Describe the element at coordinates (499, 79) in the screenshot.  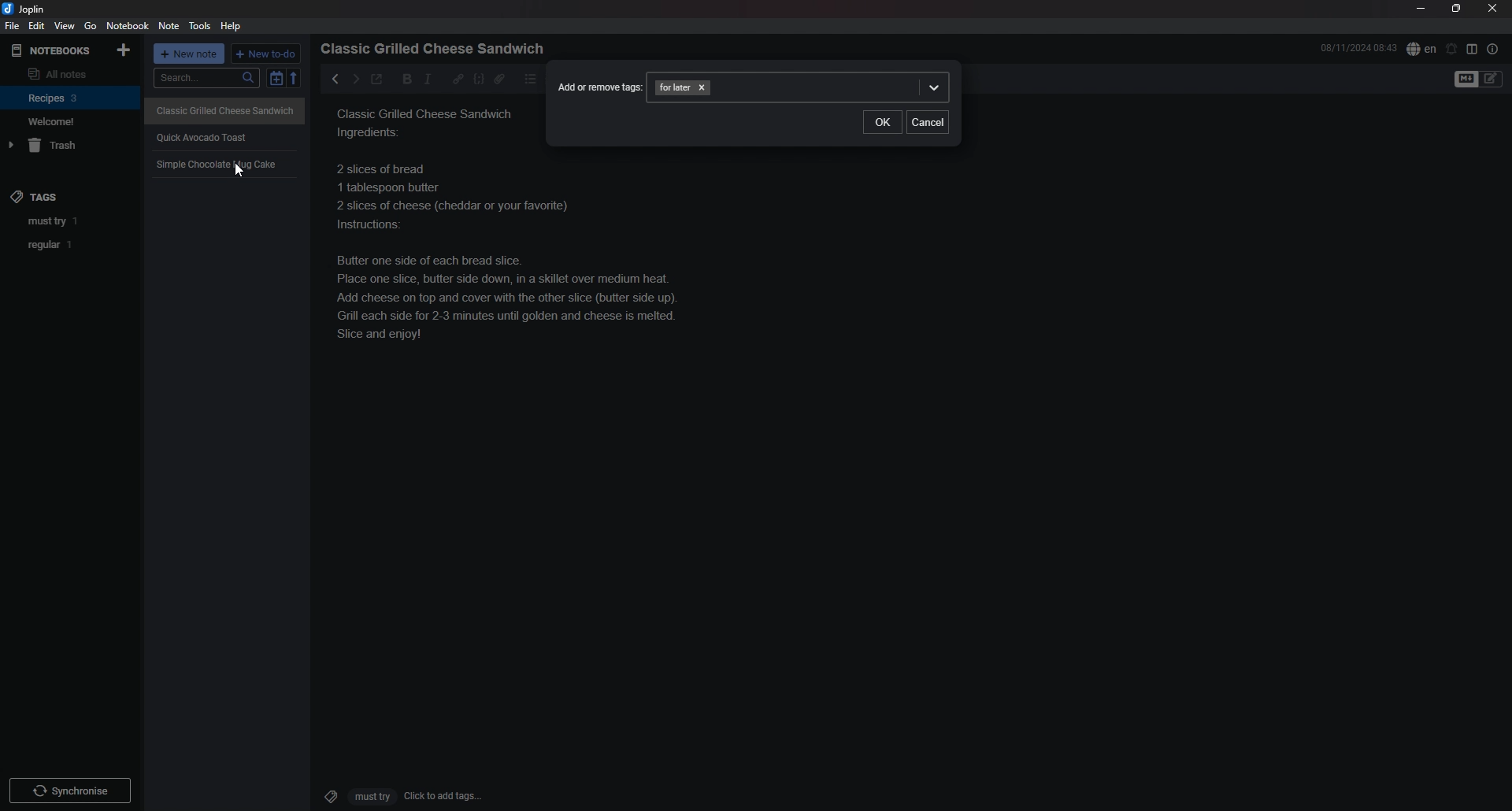
I see `attachment` at that location.